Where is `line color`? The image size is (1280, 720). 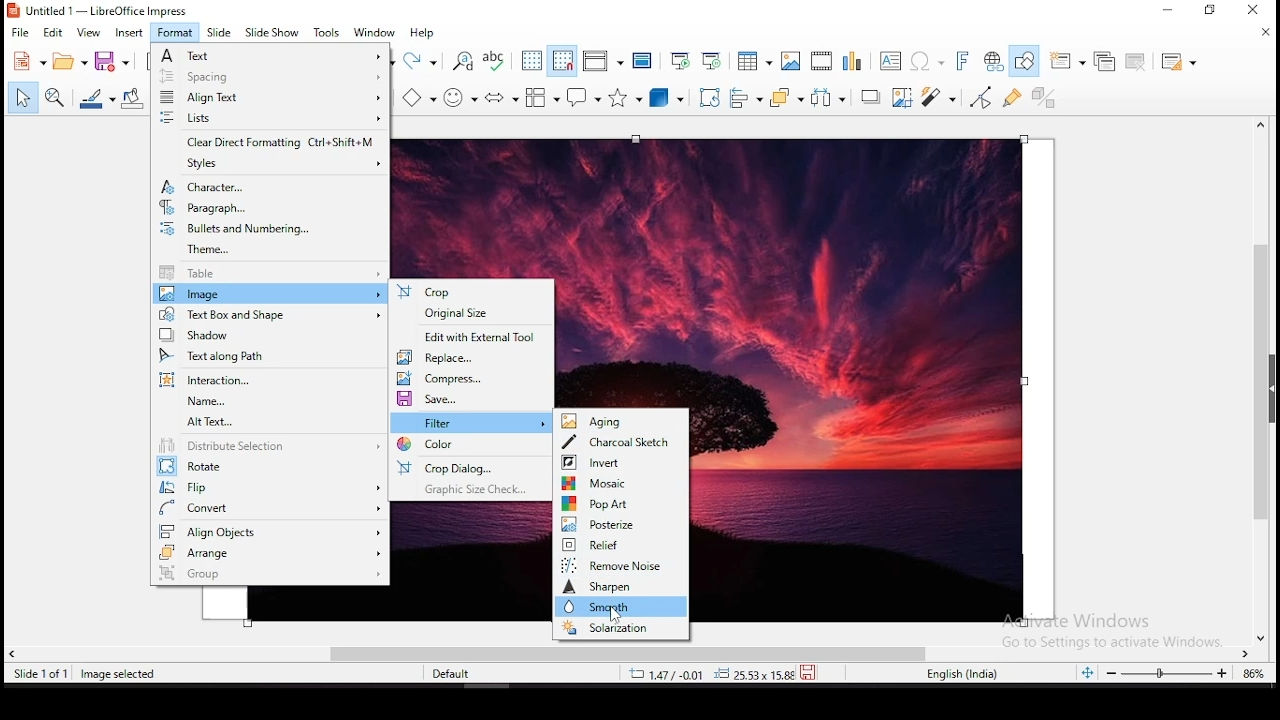
line color is located at coordinates (97, 97).